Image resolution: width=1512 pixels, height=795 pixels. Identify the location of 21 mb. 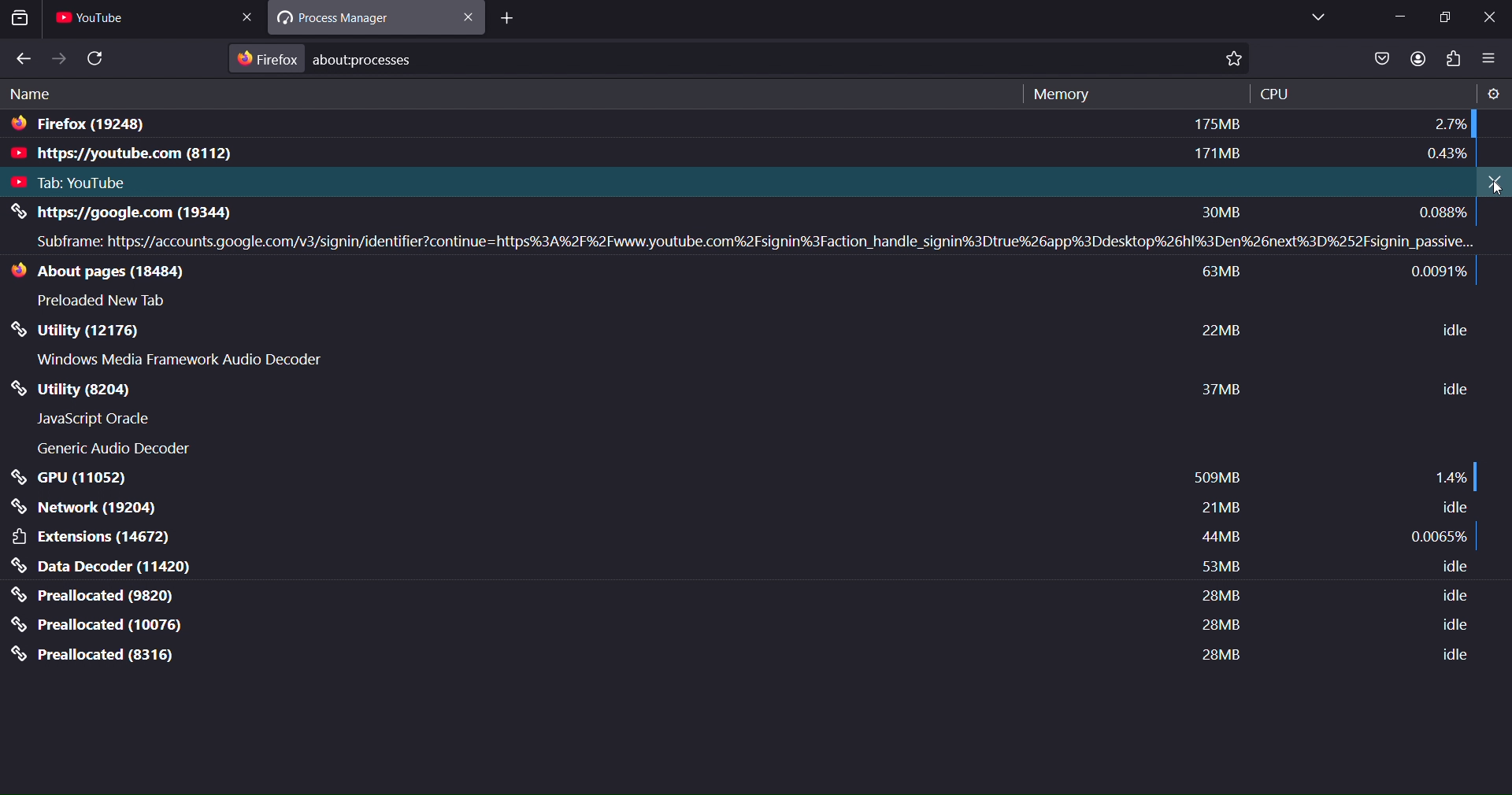
(1218, 507).